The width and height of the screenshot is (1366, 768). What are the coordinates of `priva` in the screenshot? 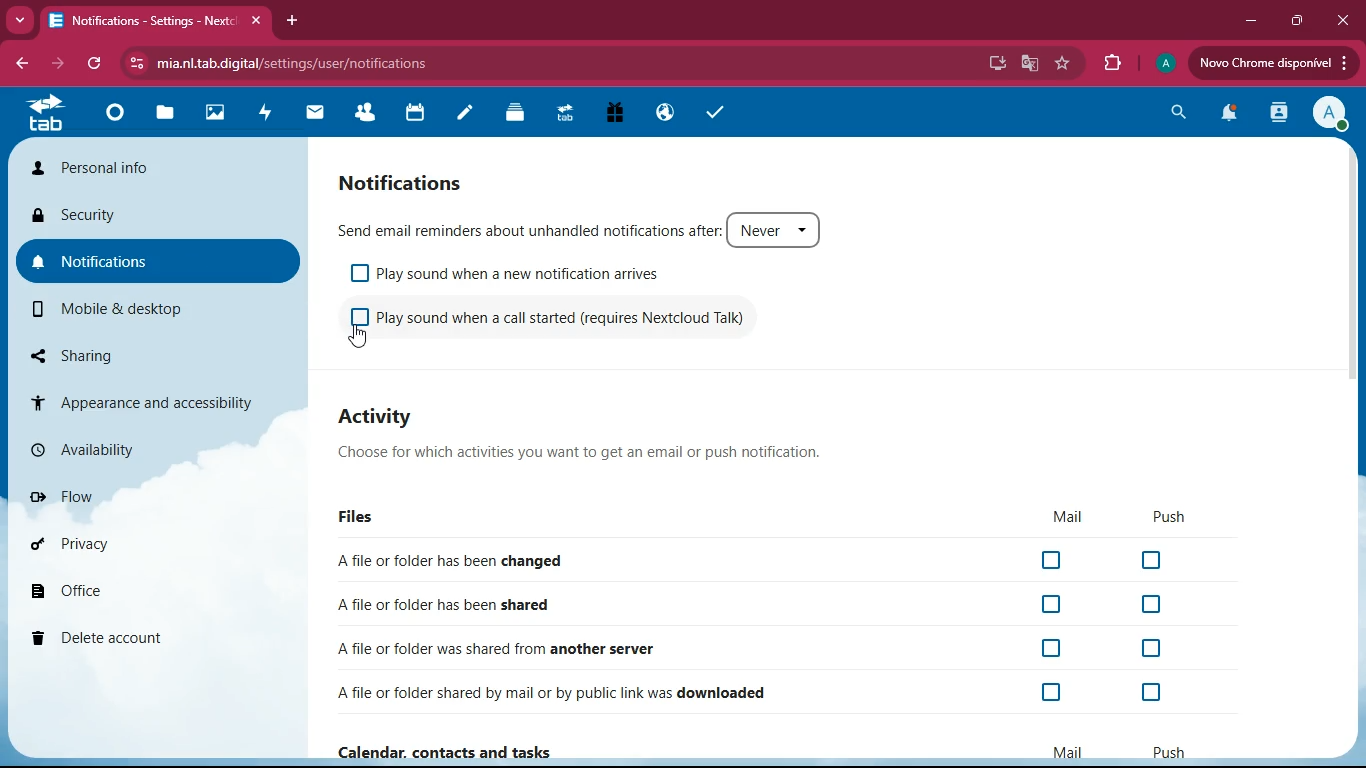 It's located at (71, 544).